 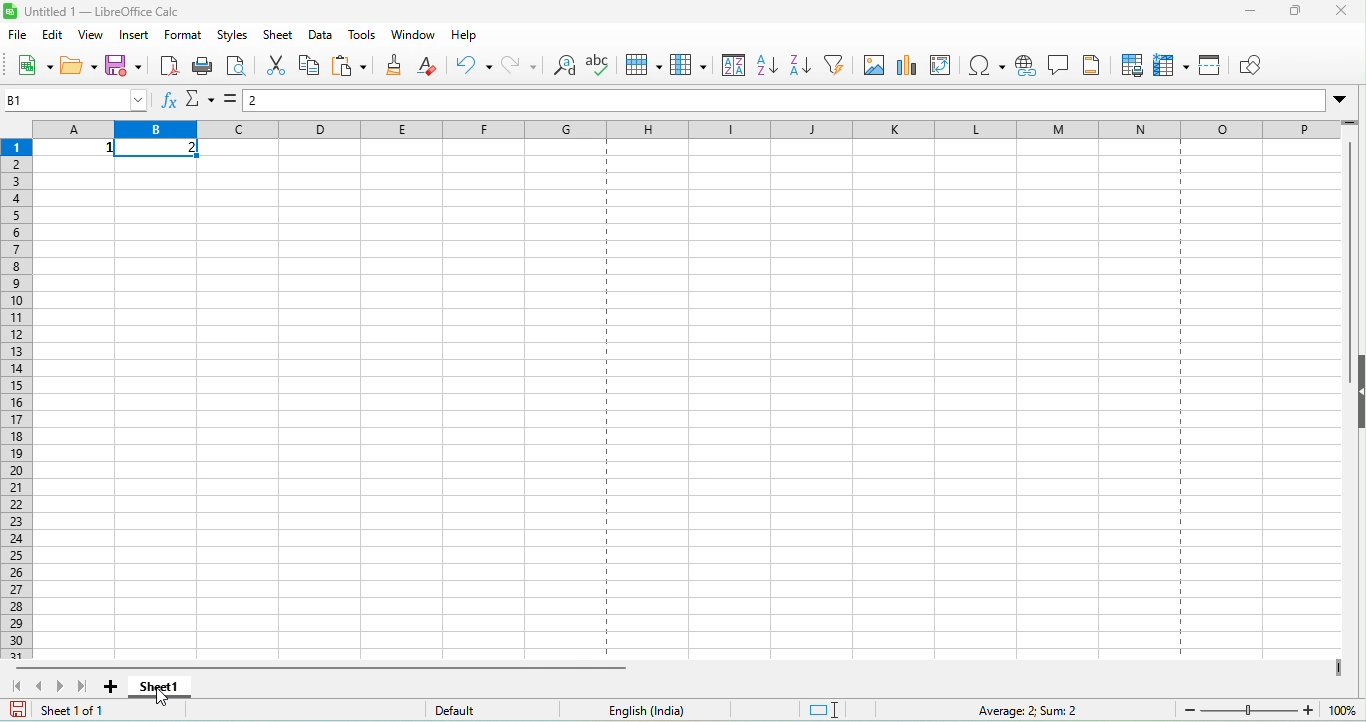 What do you see at coordinates (229, 35) in the screenshot?
I see `styles` at bounding box center [229, 35].